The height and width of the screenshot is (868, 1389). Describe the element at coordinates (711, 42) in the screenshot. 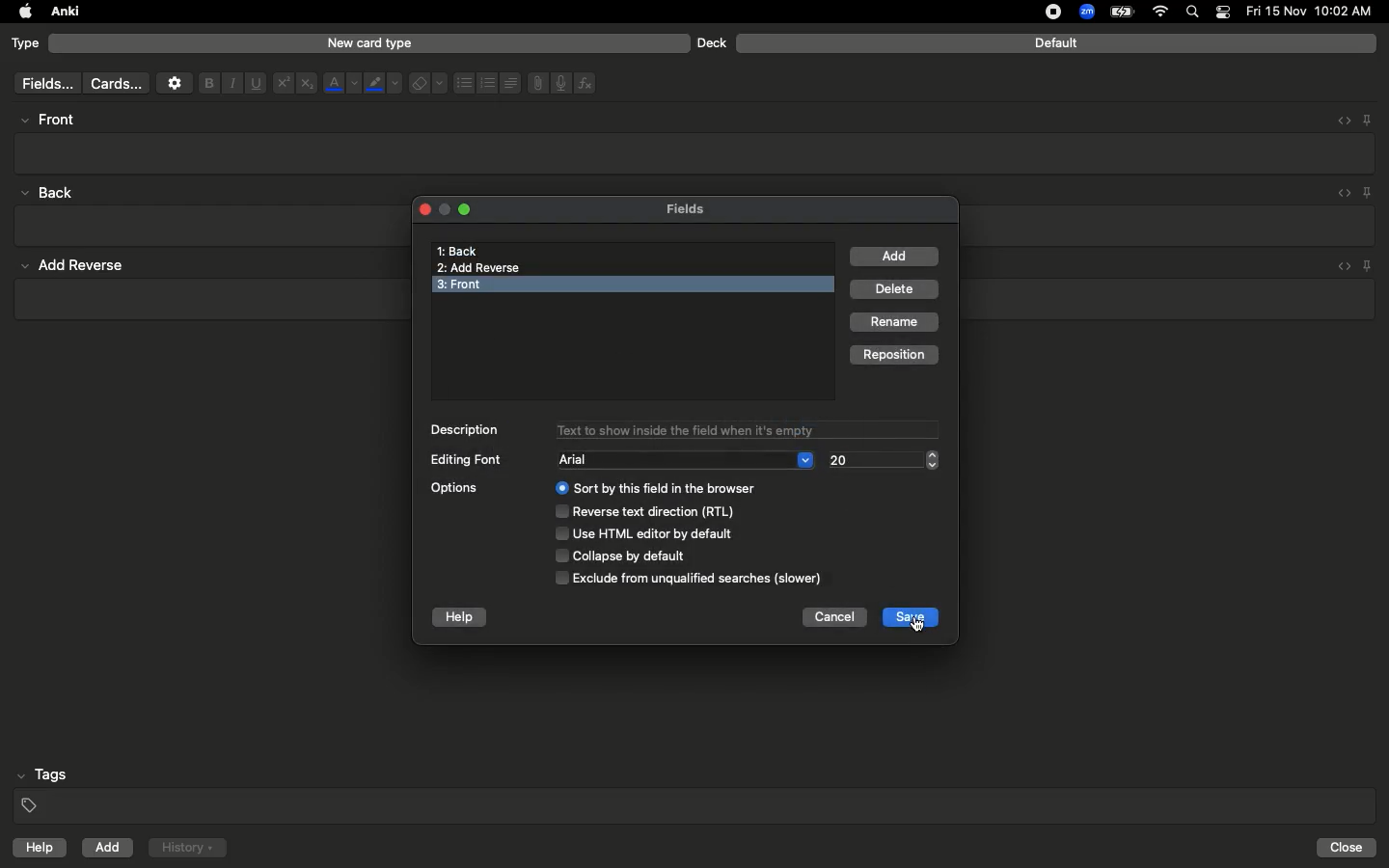

I see `Deck` at that location.